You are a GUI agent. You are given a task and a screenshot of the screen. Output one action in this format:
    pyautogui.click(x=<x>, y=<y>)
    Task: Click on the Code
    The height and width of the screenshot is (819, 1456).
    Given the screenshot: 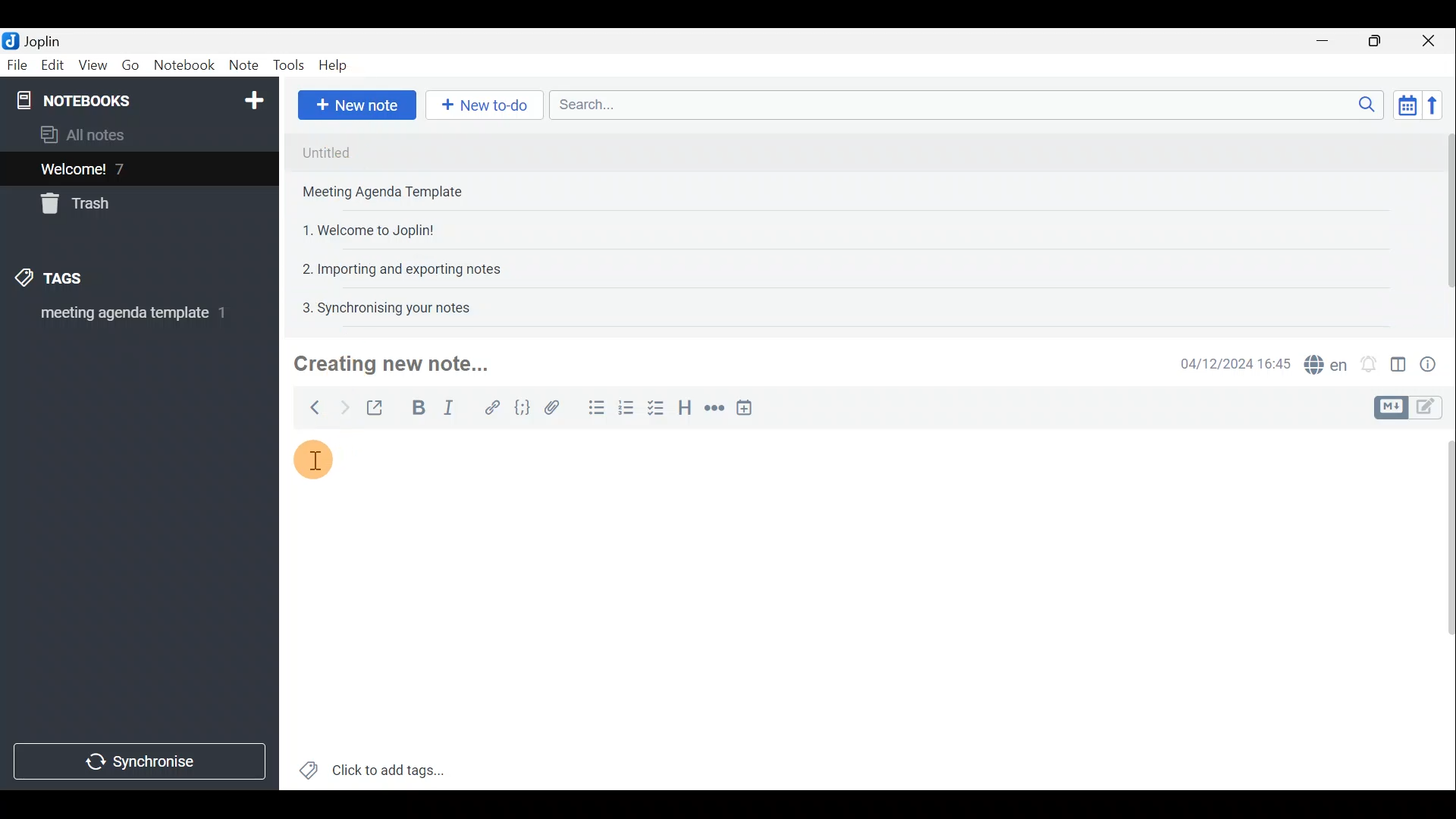 What is the action you would take?
    pyautogui.click(x=522, y=406)
    